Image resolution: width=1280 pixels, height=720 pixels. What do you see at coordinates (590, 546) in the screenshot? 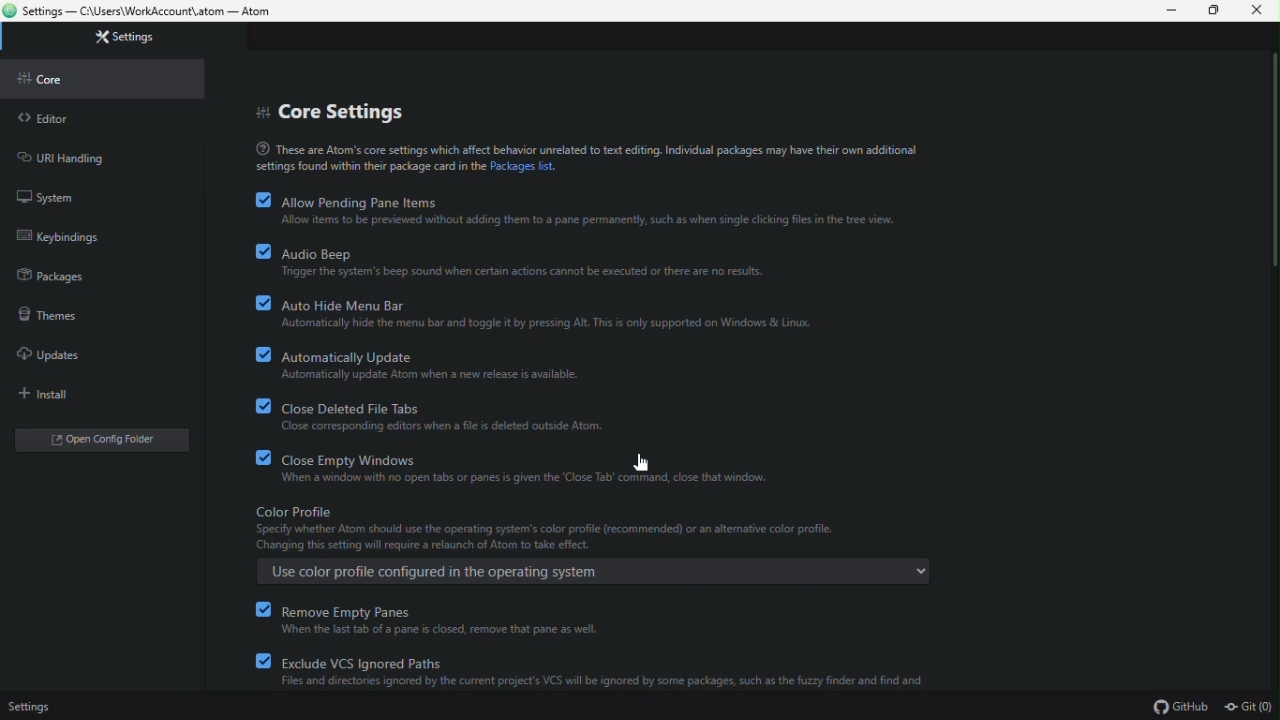
I see `Colour profile` at bounding box center [590, 546].